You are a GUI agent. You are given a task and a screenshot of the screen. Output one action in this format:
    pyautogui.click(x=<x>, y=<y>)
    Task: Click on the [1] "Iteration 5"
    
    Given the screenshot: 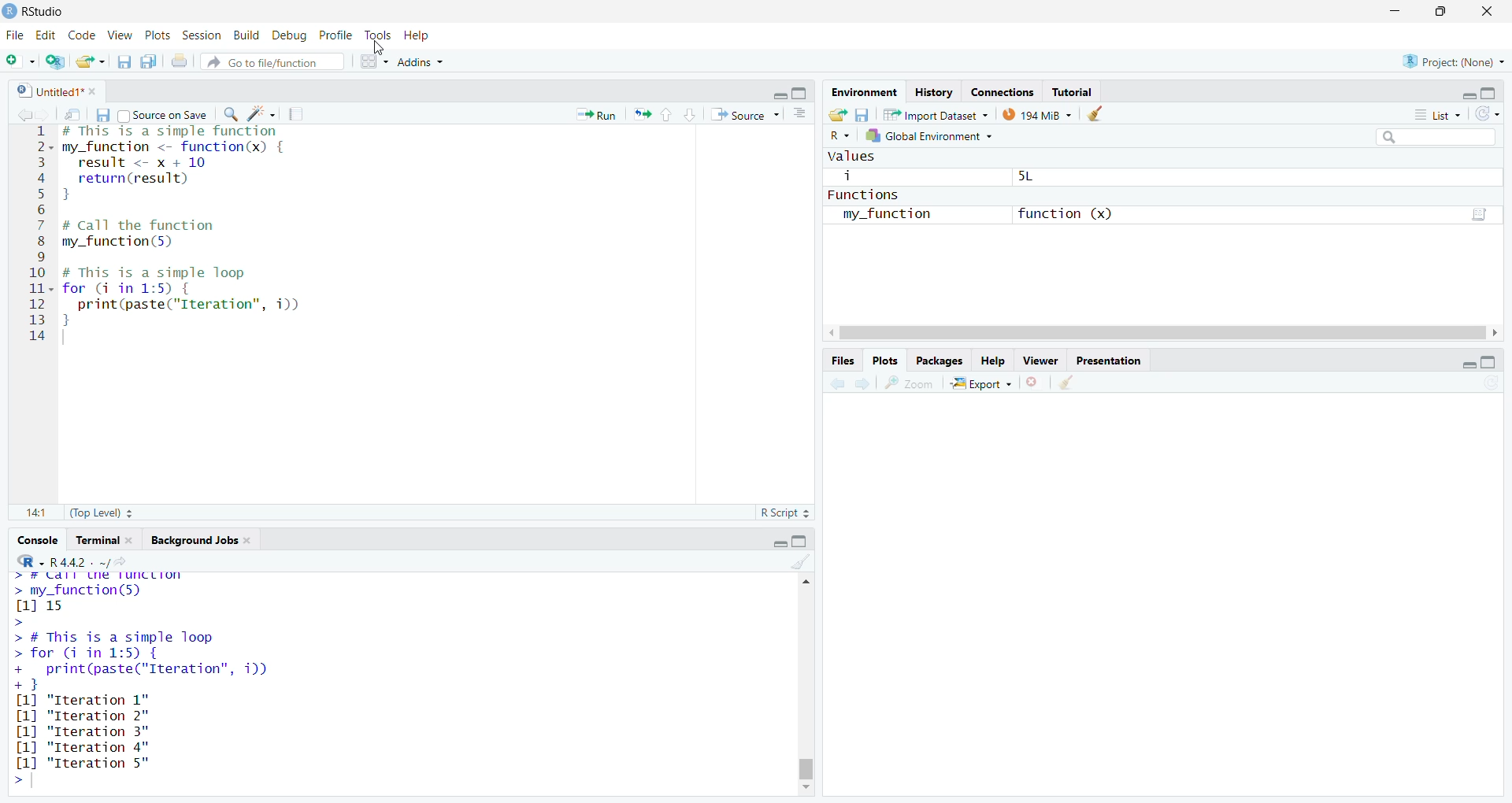 What is the action you would take?
    pyautogui.click(x=80, y=763)
    